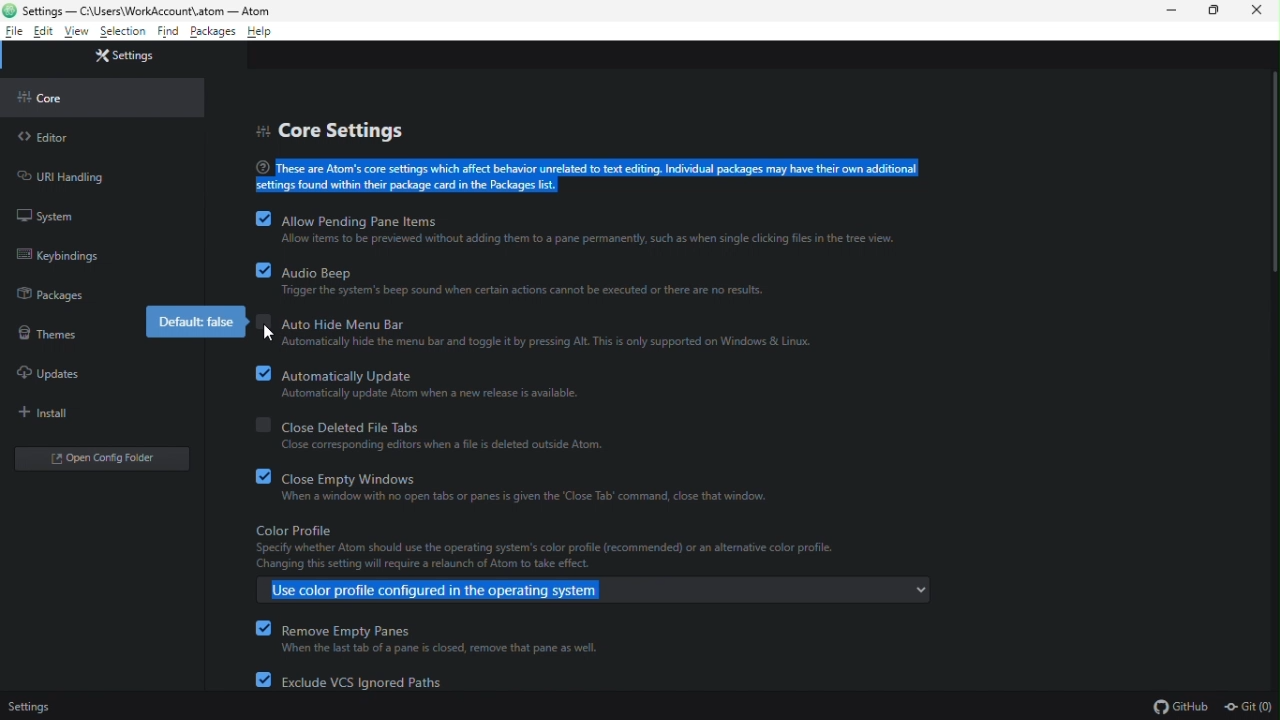  What do you see at coordinates (562, 546) in the screenshot?
I see `Color ProfileSpecify whether Atom should use the operating system's color profile (recommended) or an altemative color profile.Changing tls sotting will seme 8 vehounch of Atom to toke effect.` at bounding box center [562, 546].